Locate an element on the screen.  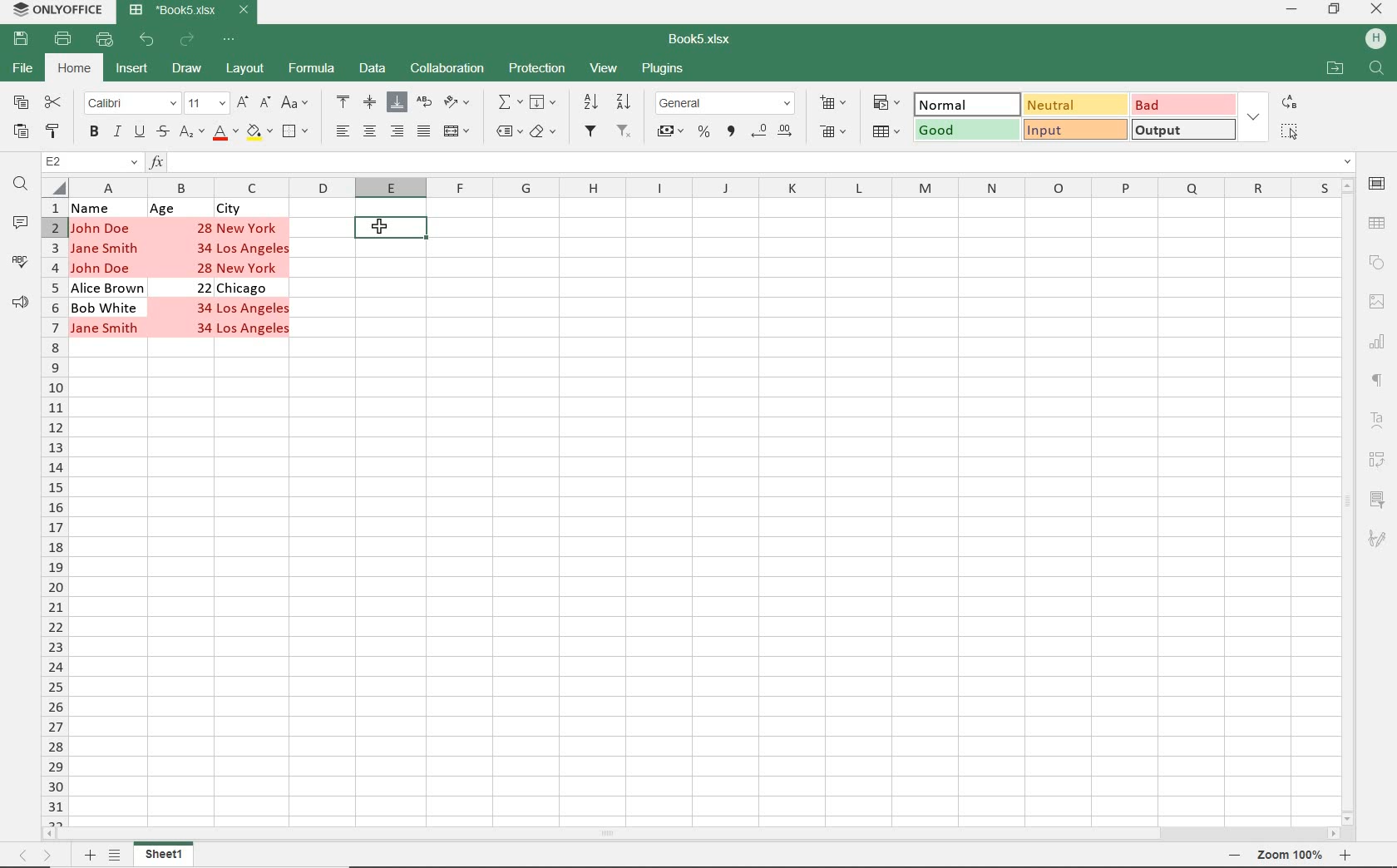
REDO is located at coordinates (187, 42).